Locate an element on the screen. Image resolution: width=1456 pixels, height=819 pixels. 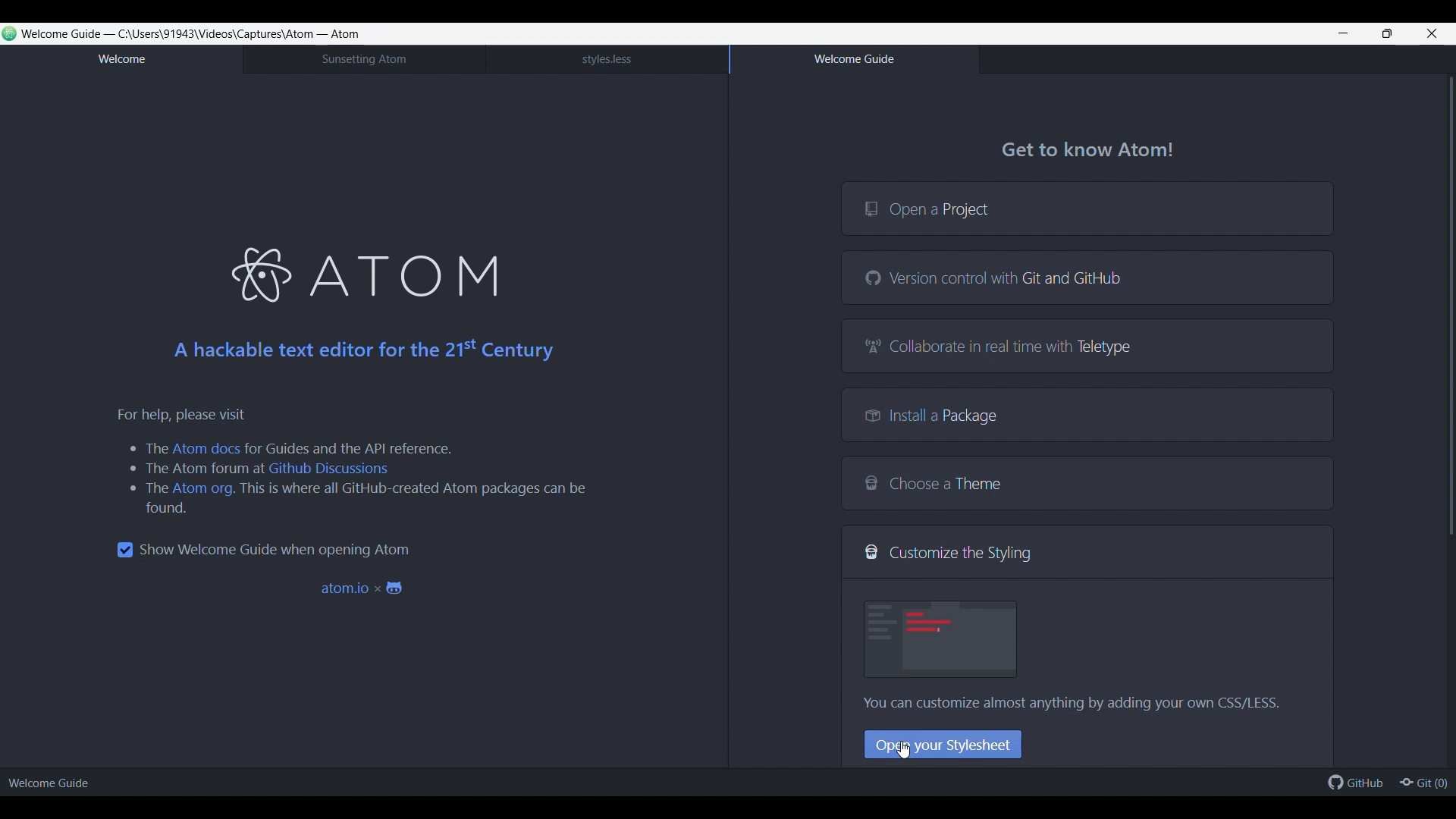
- Atom is located at coordinates (340, 34).